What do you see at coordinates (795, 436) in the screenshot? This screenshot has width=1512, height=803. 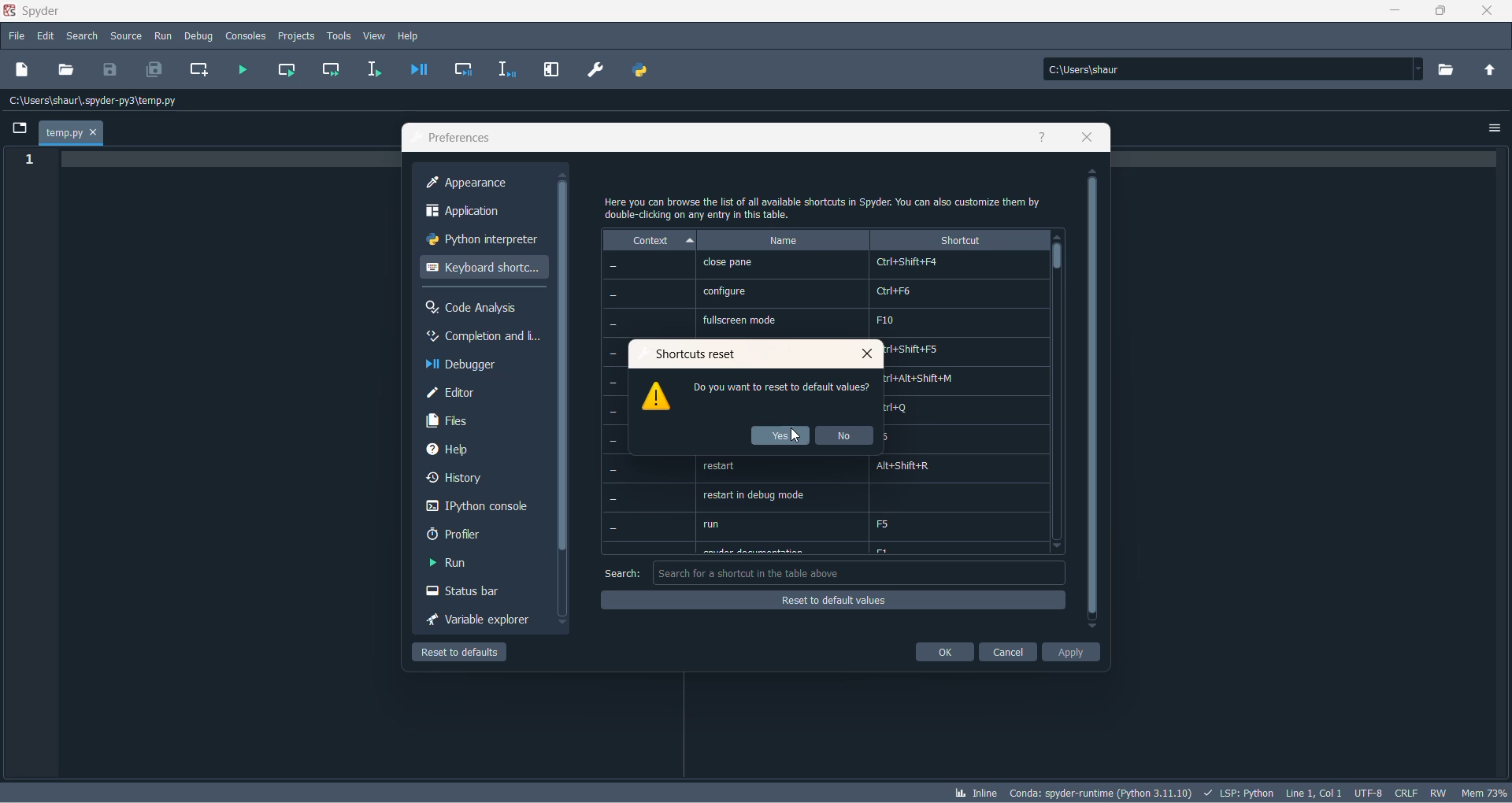 I see `cursor` at bounding box center [795, 436].